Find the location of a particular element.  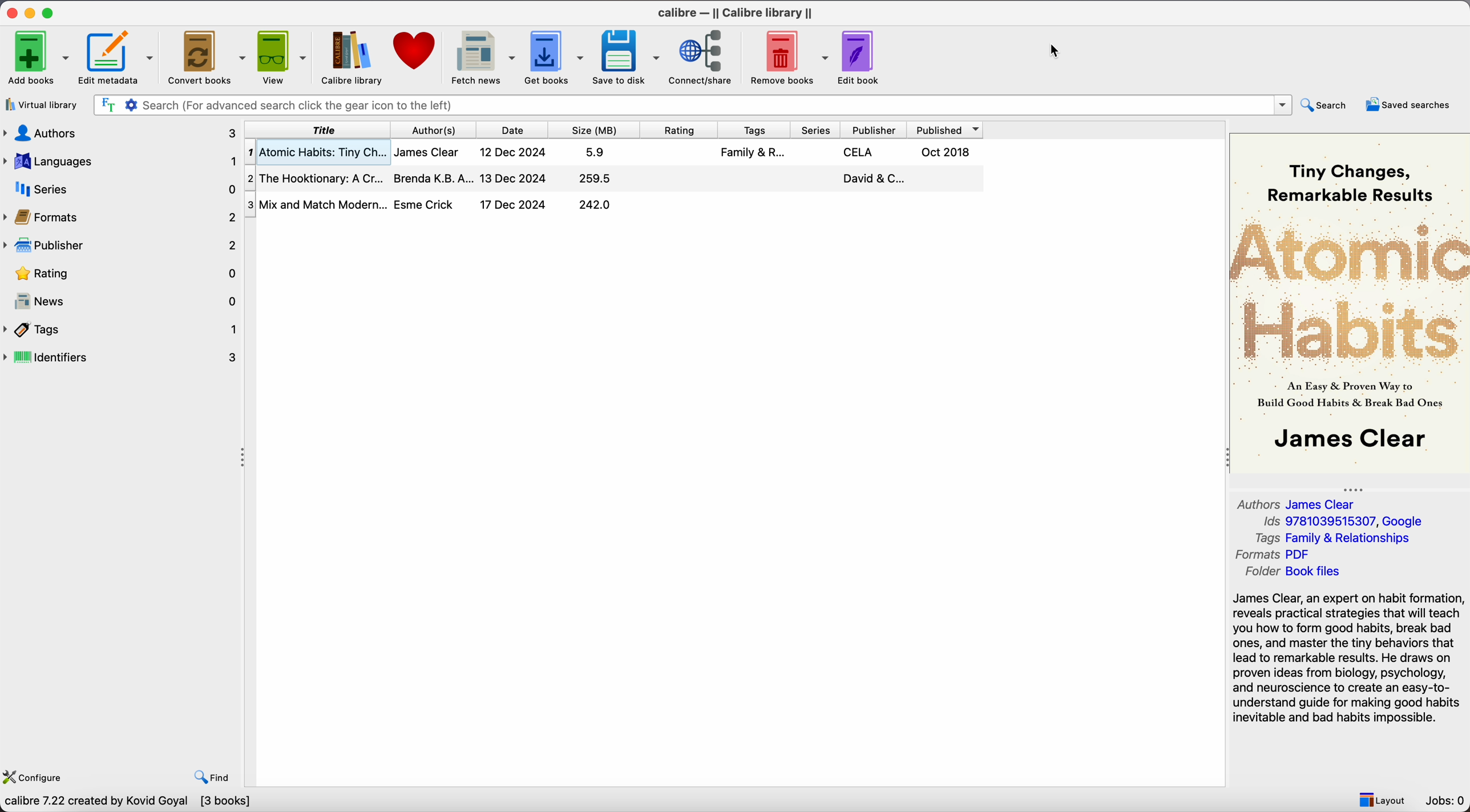

formats is located at coordinates (119, 216).